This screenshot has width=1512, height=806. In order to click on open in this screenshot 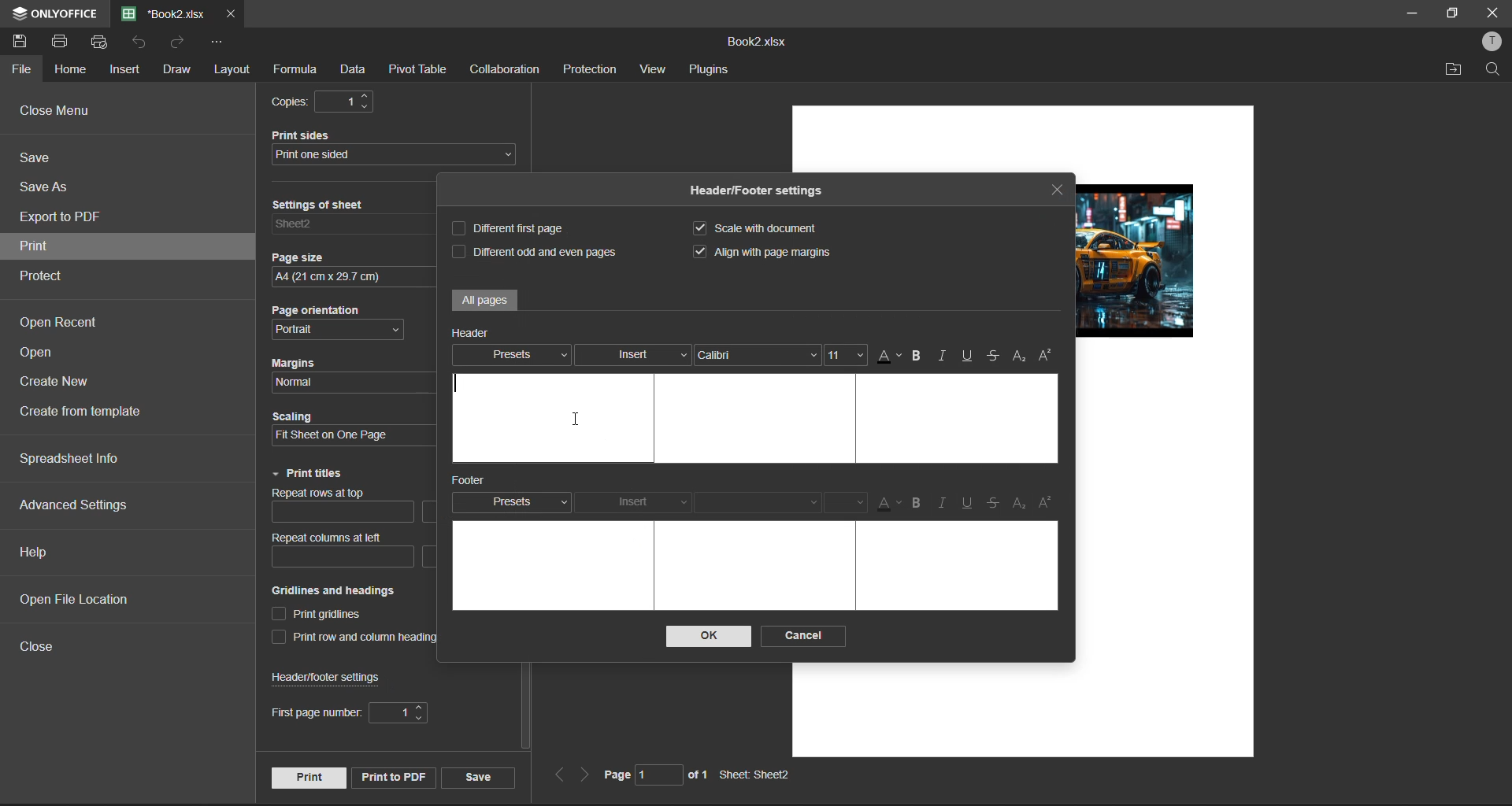, I will do `click(46, 354)`.